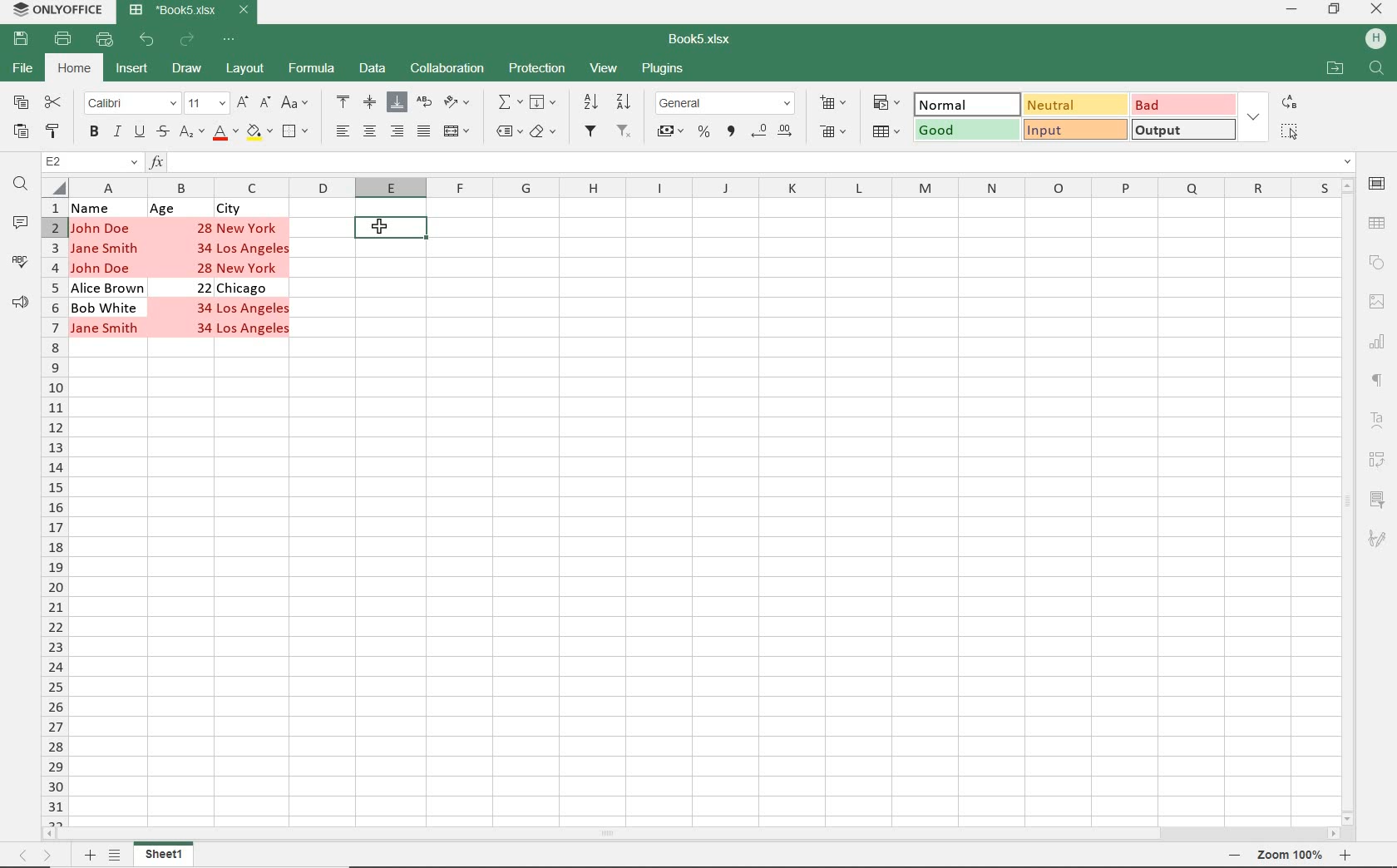  I want to click on NAME MANAGER, so click(91, 162).